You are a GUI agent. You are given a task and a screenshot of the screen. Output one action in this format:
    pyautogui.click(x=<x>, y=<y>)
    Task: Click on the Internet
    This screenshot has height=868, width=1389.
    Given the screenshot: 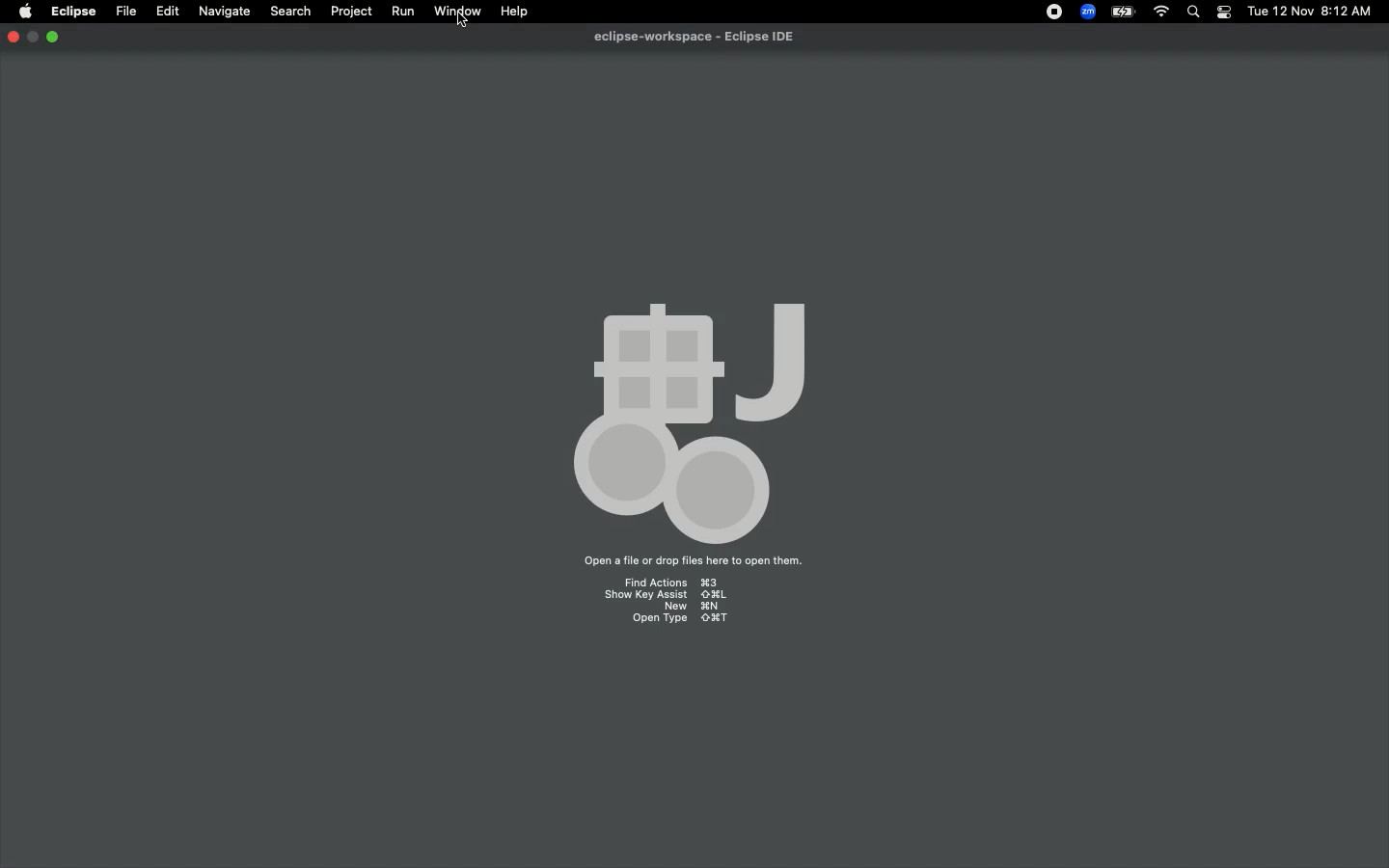 What is the action you would take?
    pyautogui.click(x=1159, y=13)
    